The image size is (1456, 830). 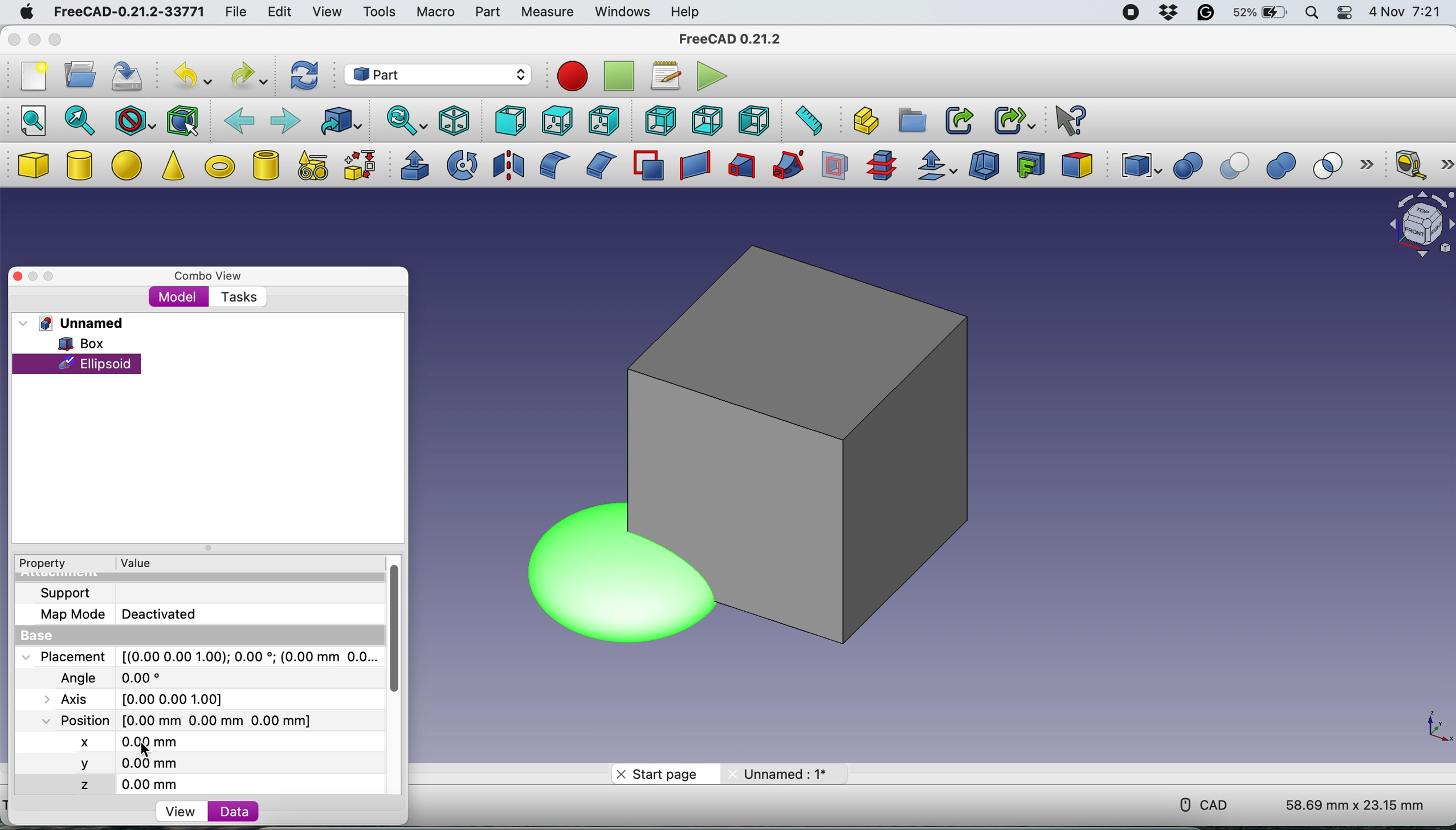 What do you see at coordinates (108, 676) in the screenshot?
I see `Angle 0.00 degree` at bounding box center [108, 676].